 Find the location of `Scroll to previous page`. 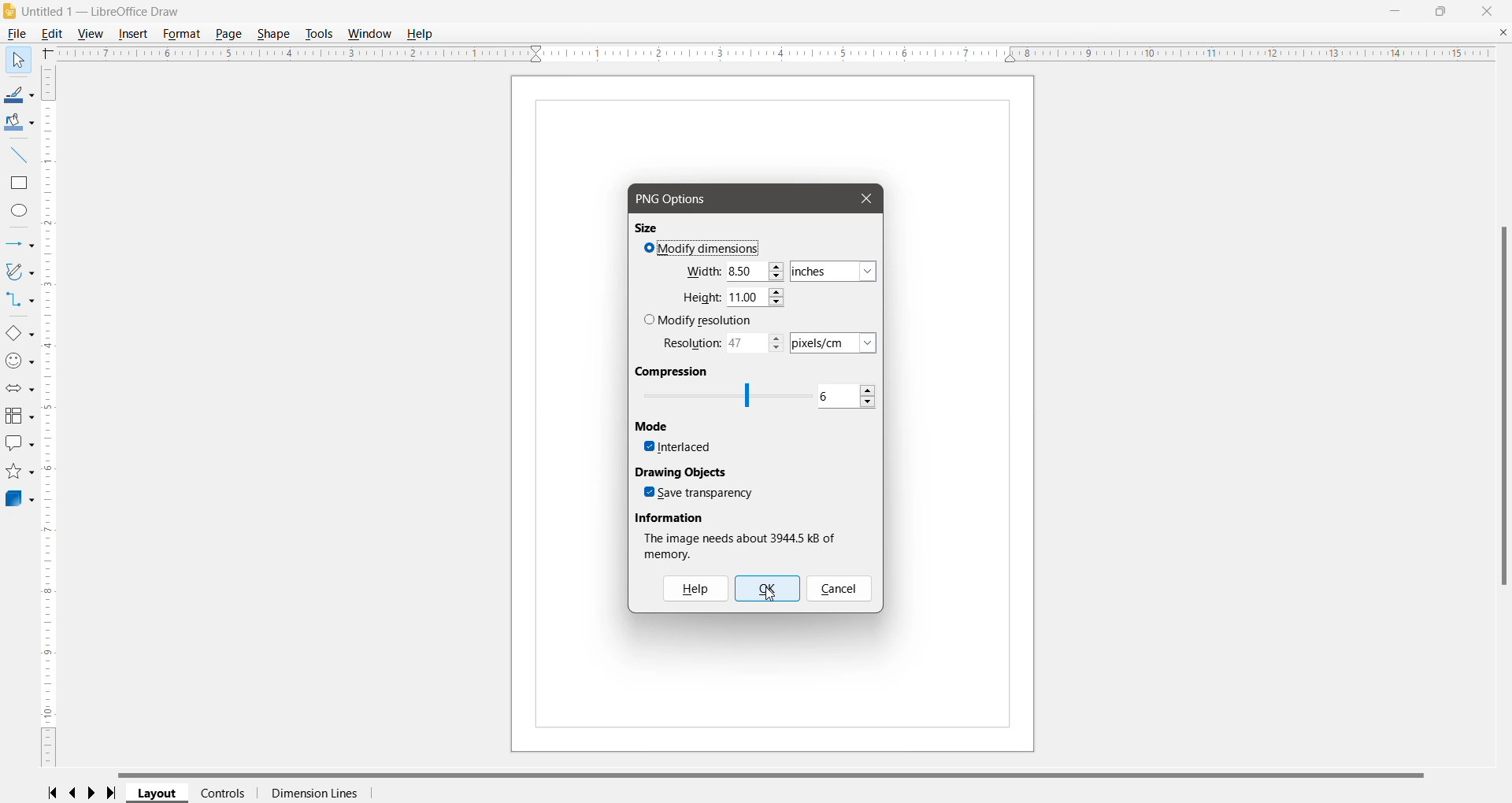

Scroll to previous page is located at coordinates (74, 794).